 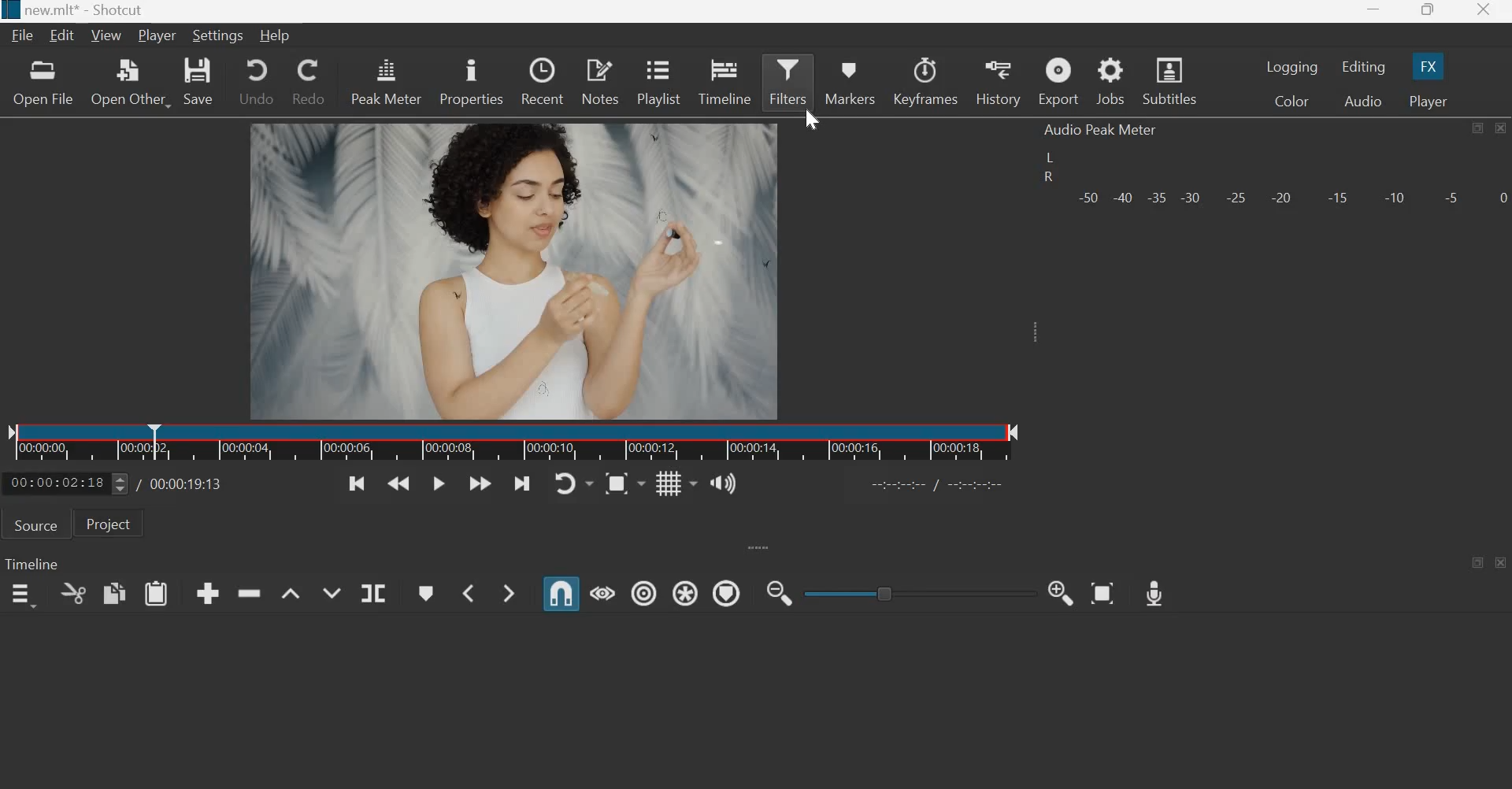 I want to click on Total duration, so click(x=188, y=483).